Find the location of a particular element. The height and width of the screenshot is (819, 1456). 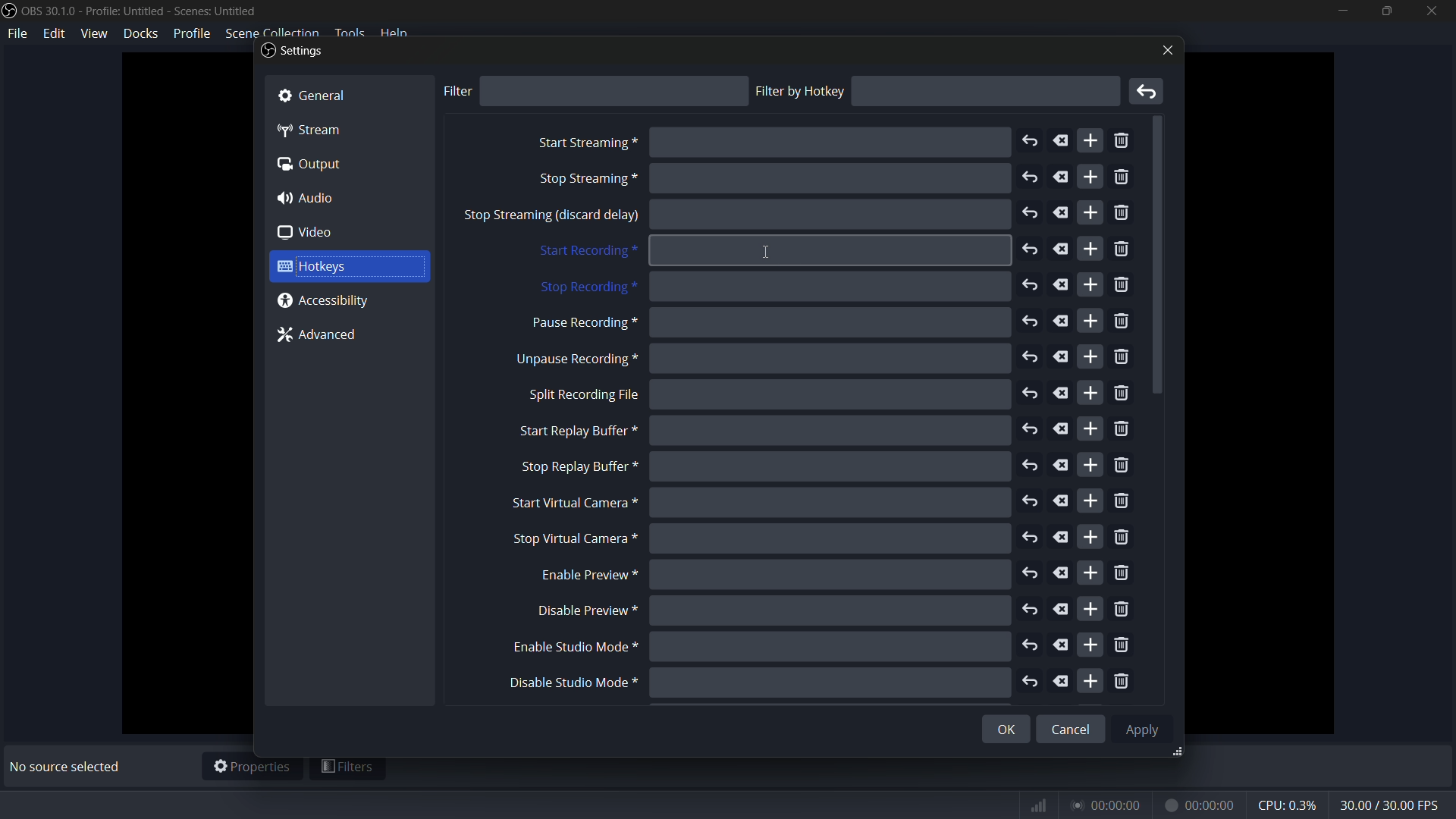

undo is located at coordinates (1031, 501).